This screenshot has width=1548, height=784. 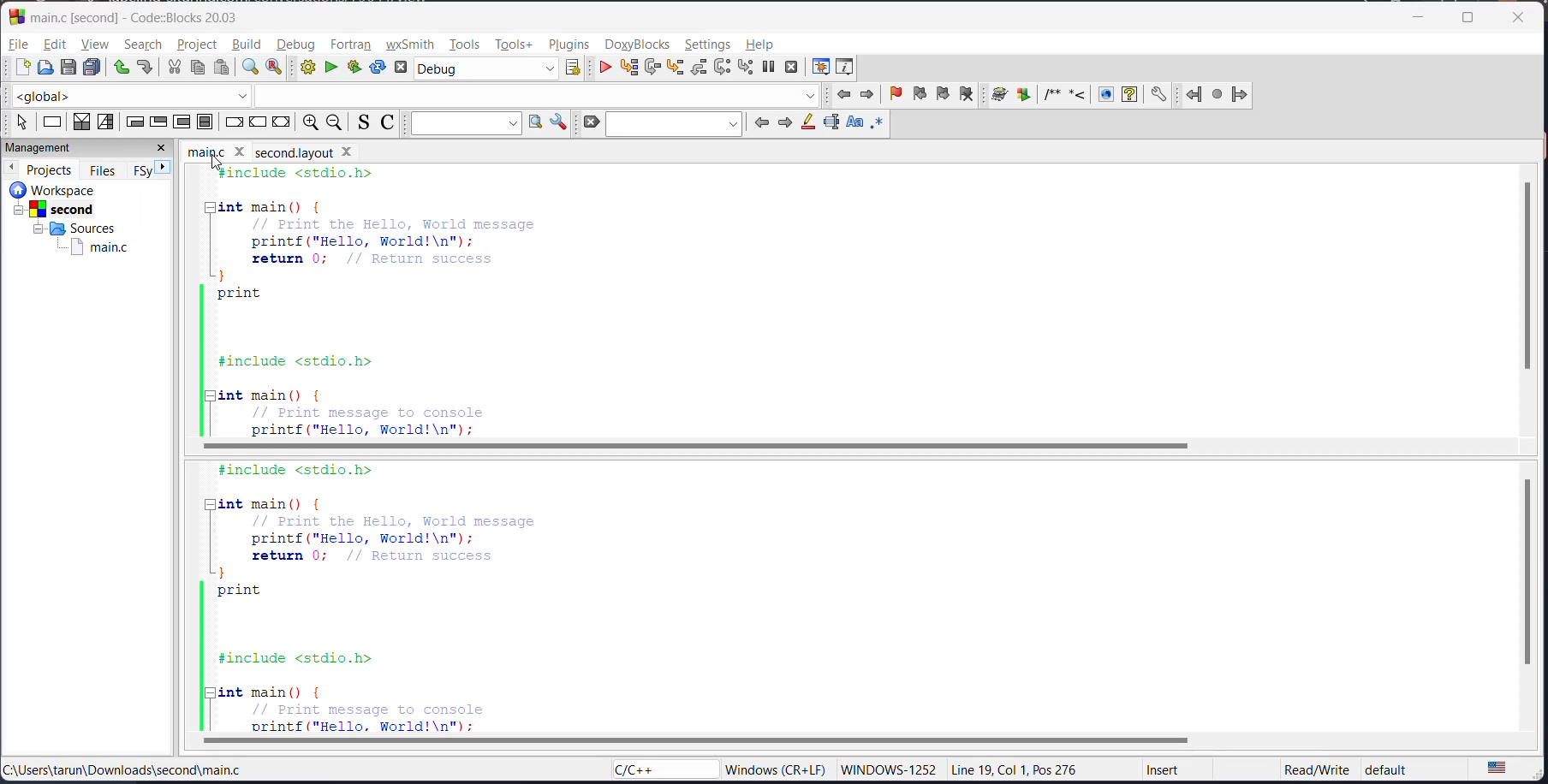 What do you see at coordinates (1525, 275) in the screenshot?
I see `vertical scroll bar` at bounding box center [1525, 275].